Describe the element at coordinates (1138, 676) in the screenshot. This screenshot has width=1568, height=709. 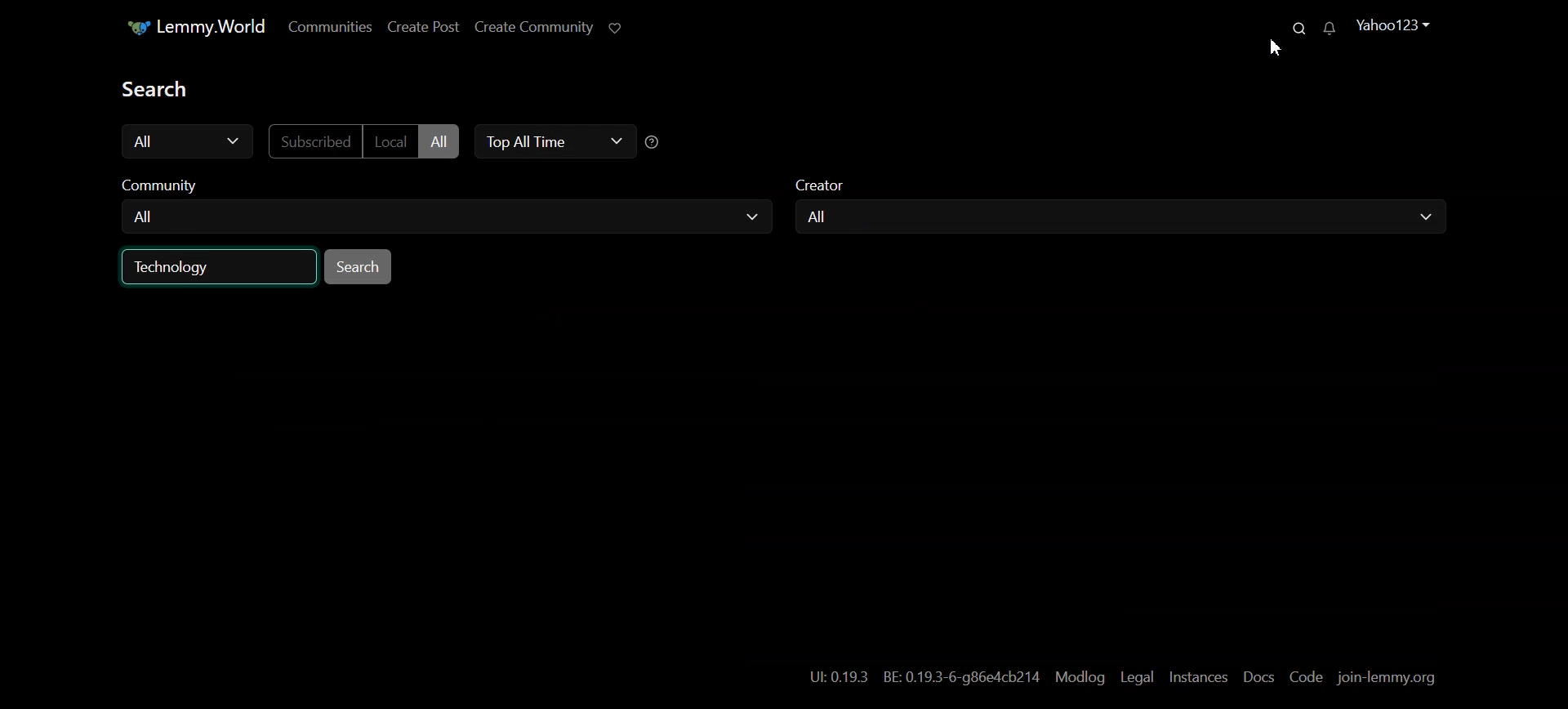
I see `Legal` at that location.